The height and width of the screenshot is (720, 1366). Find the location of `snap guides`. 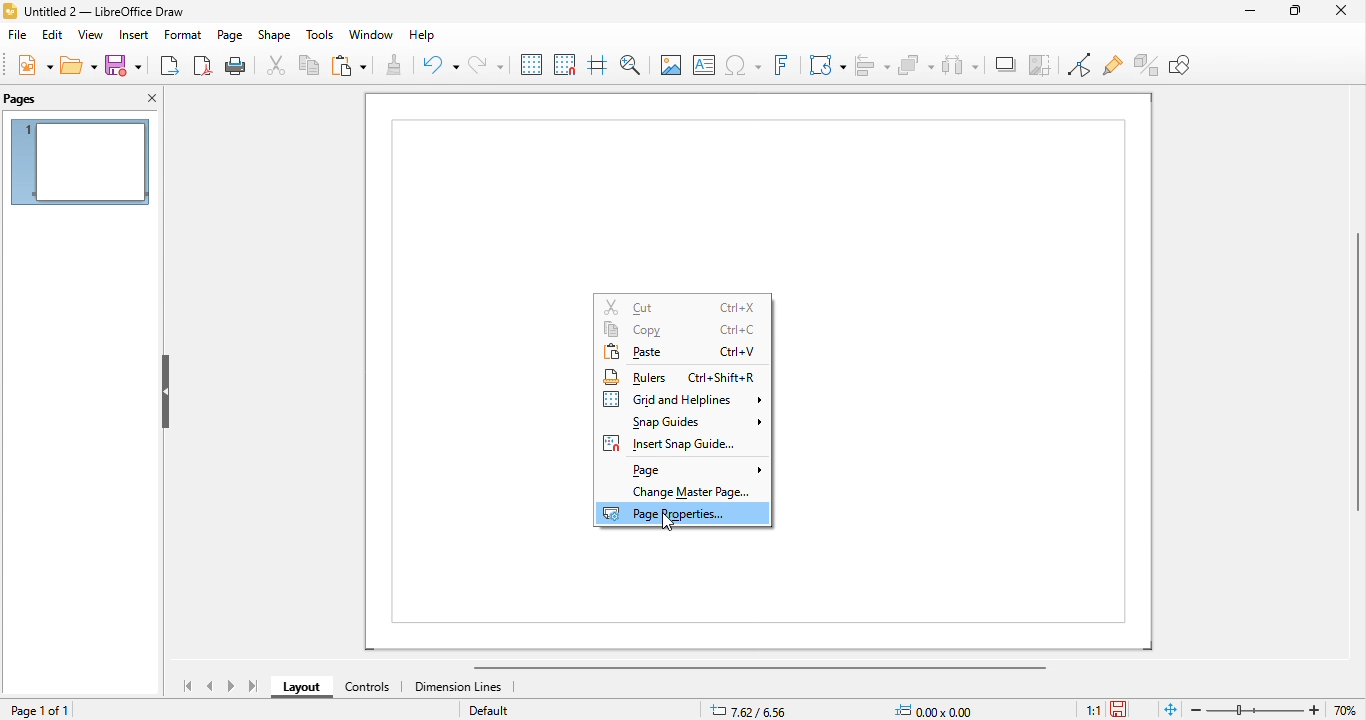

snap guides is located at coordinates (681, 422).